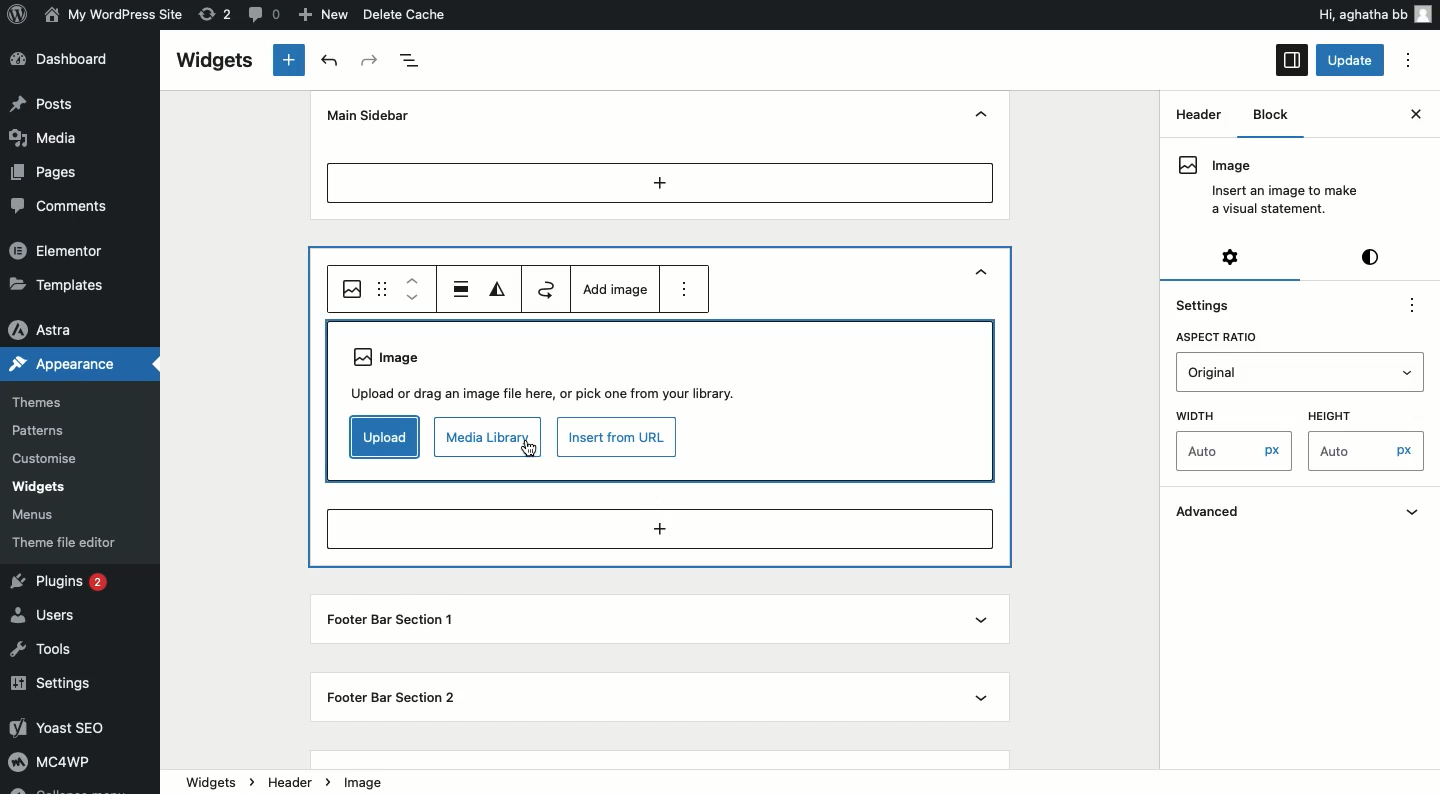 The height and width of the screenshot is (794, 1440). What do you see at coordinates (67, 59) in the screenshot?
I see `Dashboard` at bounding box center [67, 59].